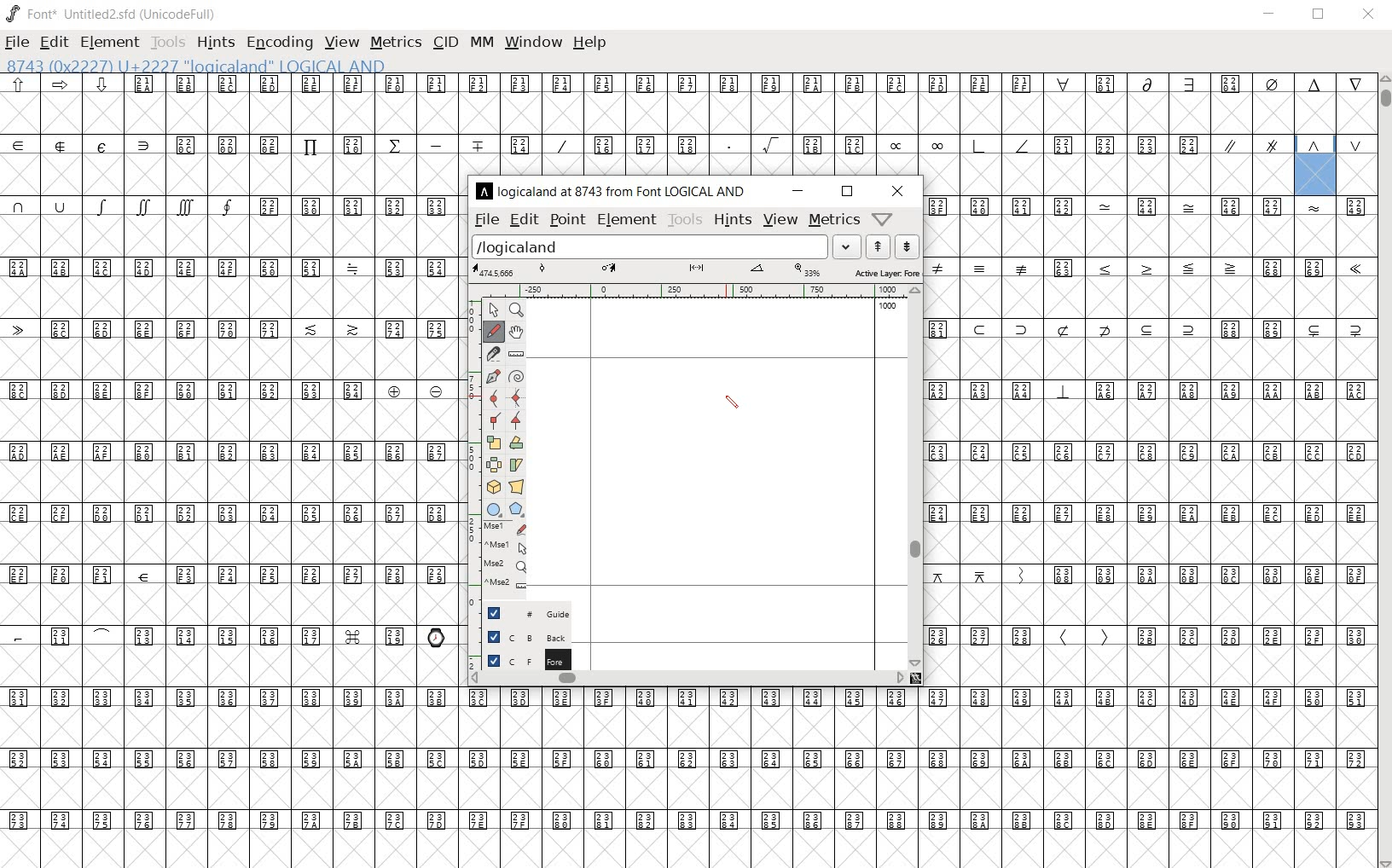 This screenshot has width=1392, height=868. Describe the element at coordinates (109, 43) in the screenshot. I see `element` at that location.